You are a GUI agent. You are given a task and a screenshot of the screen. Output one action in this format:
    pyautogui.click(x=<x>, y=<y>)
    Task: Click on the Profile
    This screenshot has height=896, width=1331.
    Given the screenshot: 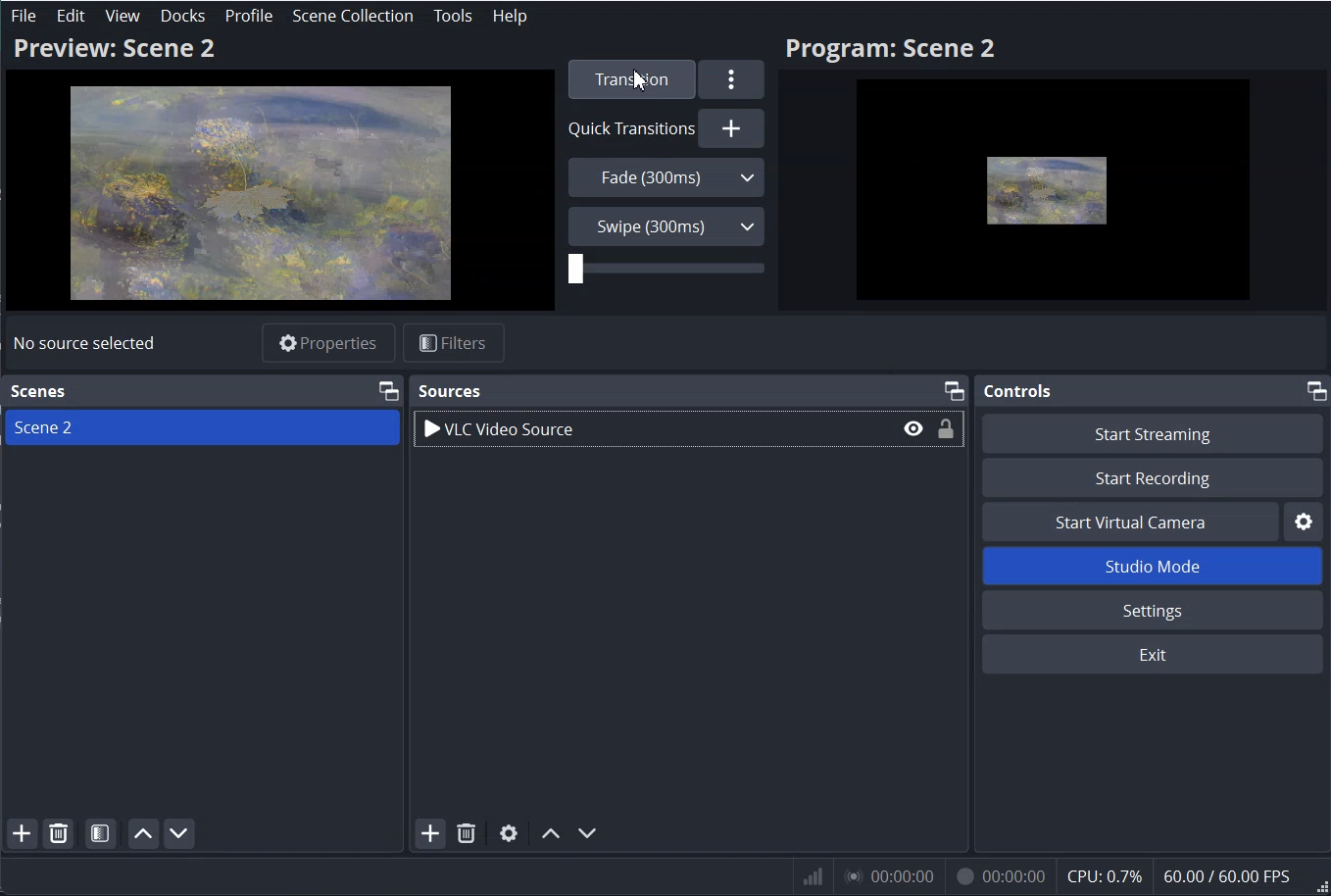 What is the action you would take?
    pyautogui.click(x=249, y=17)
    